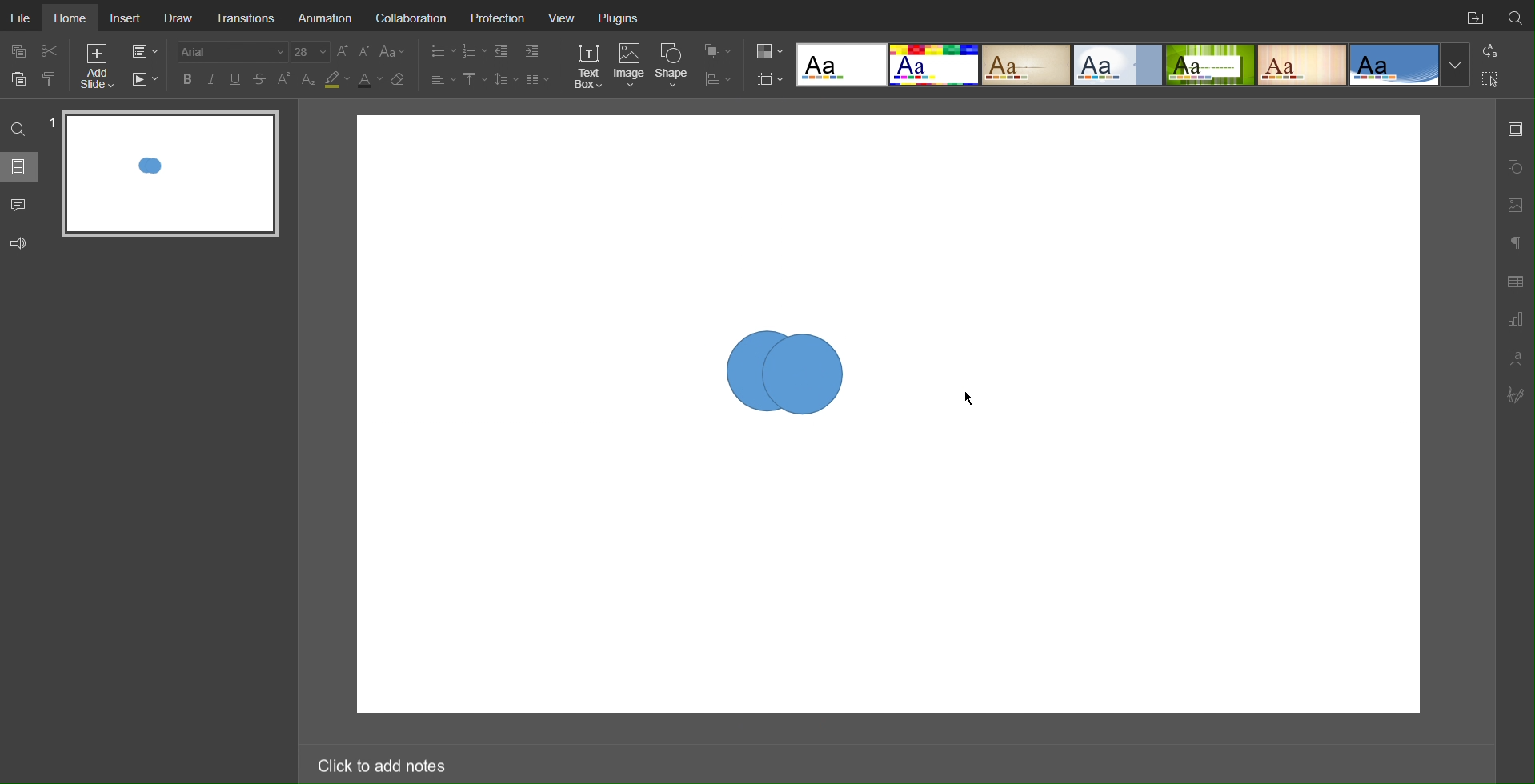  I want to click on Protection, so click(503, 19).